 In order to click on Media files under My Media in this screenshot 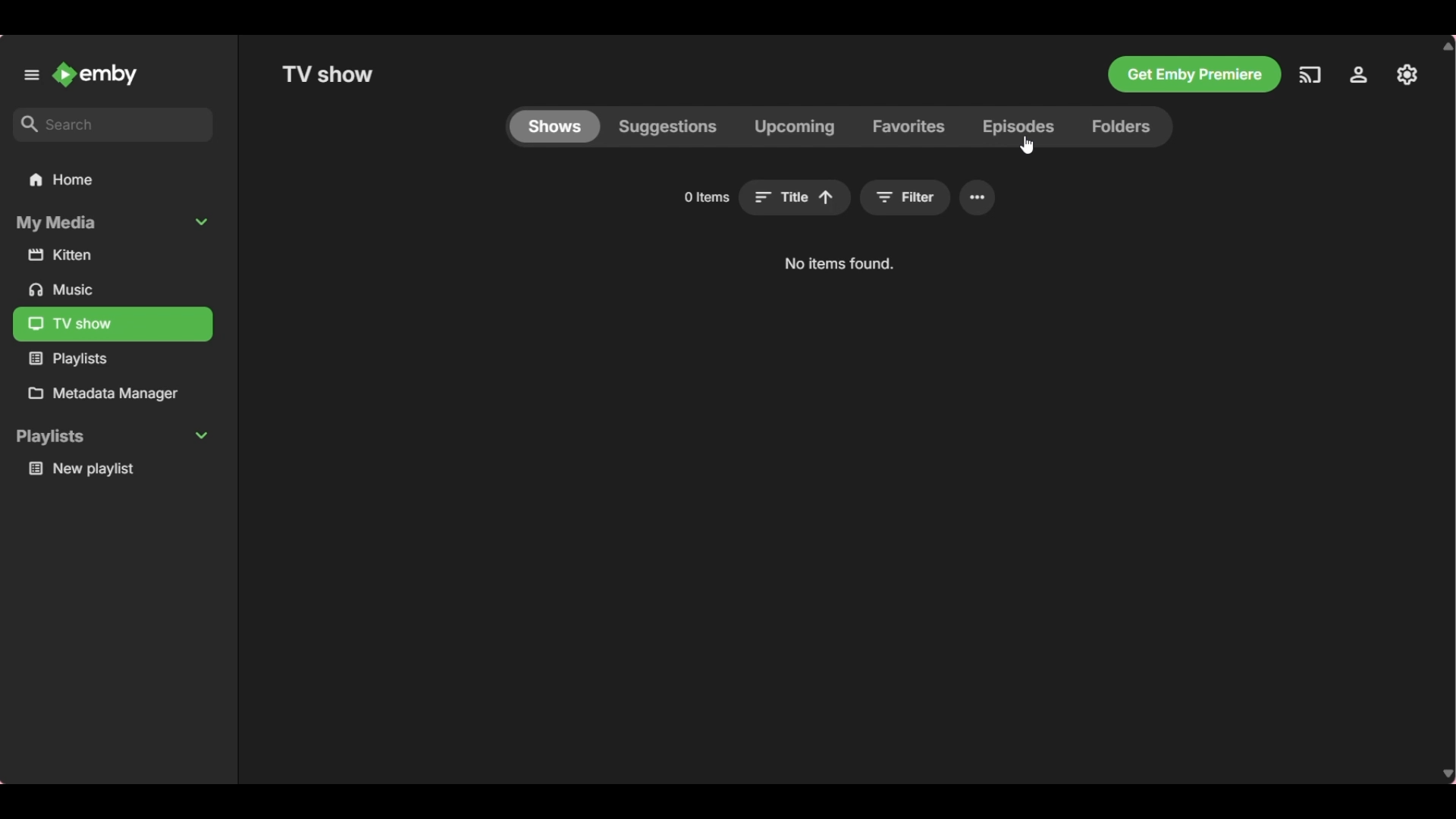, I will do `click(116, 325)`.